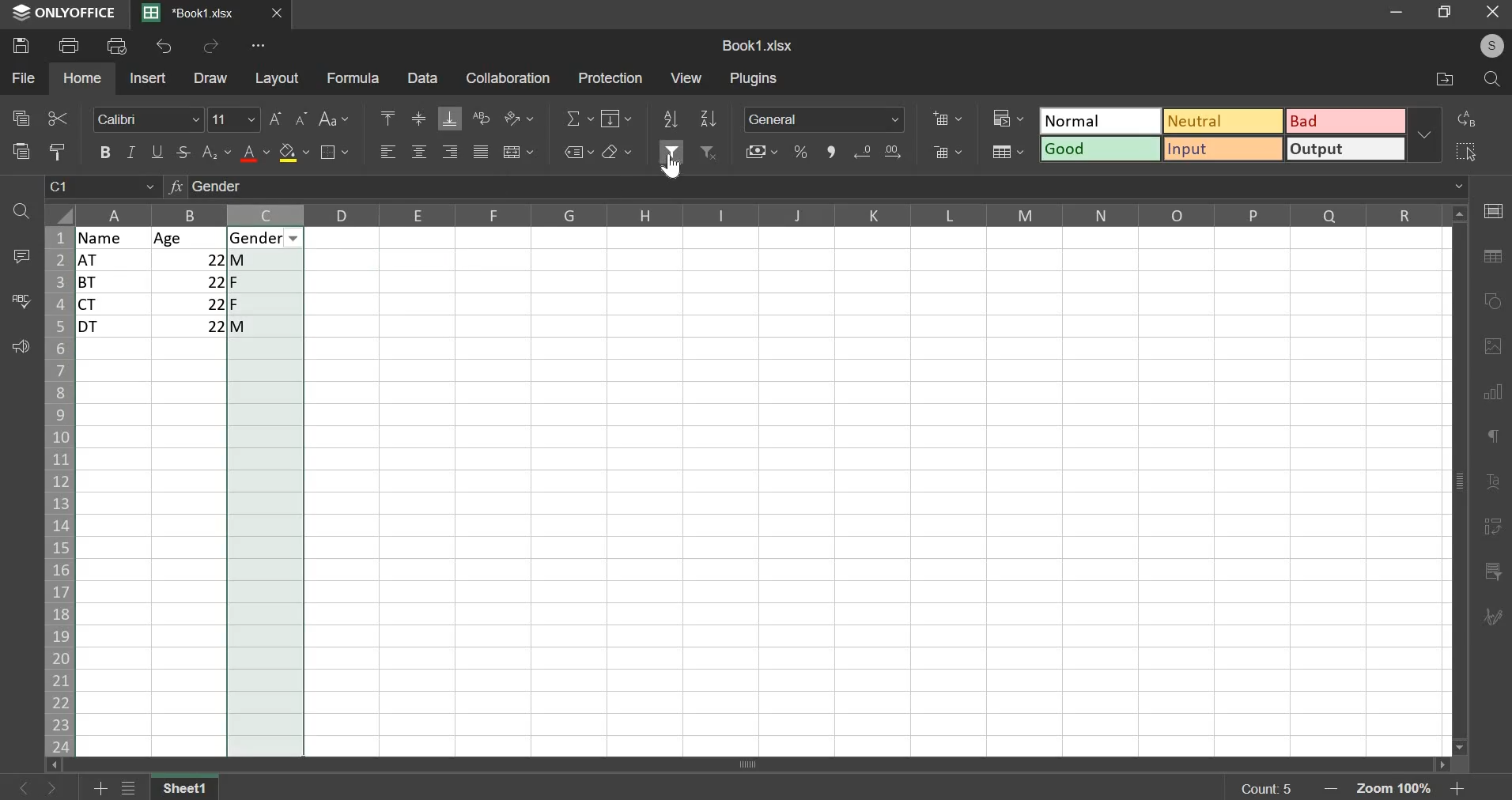 The image size is (1512, 800). I want to click on scroll bar, so click(1461, 481).